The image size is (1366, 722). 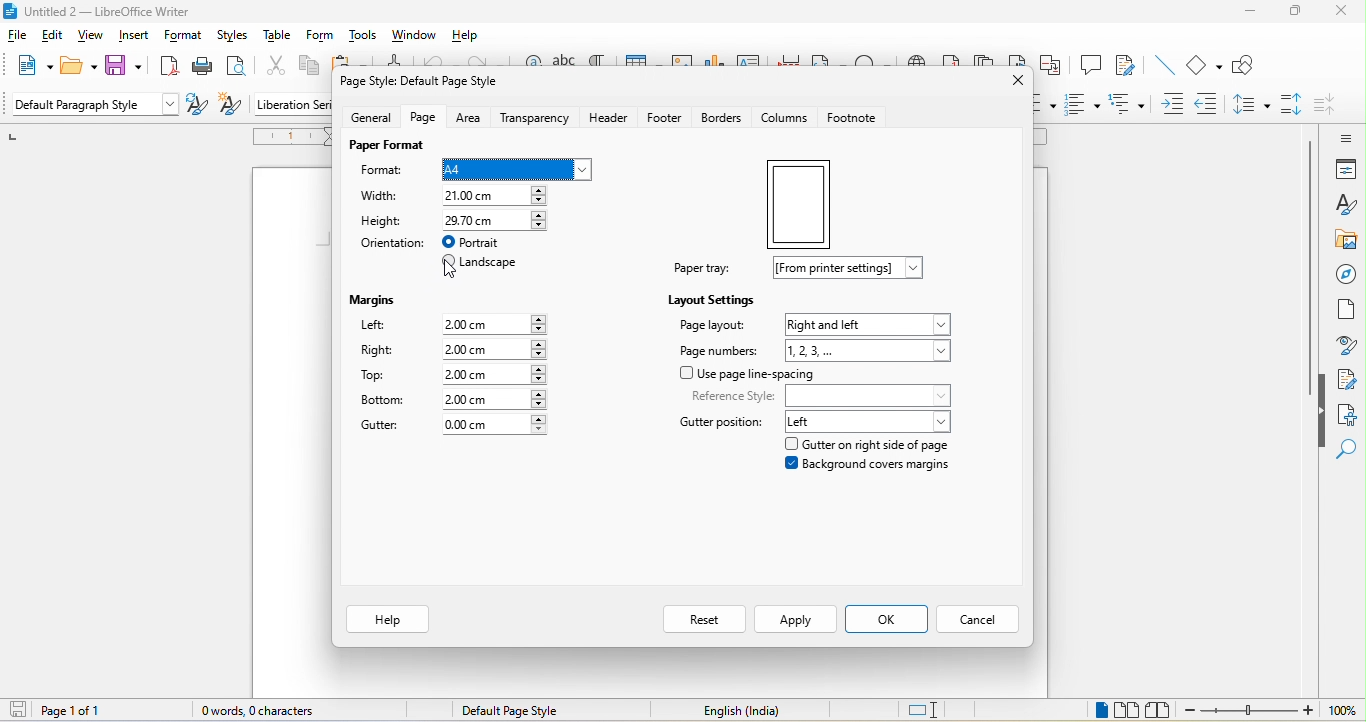 What do you see at coordinates (387, 147) in the screenshot?
I see `paper format` at bounding box center [387, 147].